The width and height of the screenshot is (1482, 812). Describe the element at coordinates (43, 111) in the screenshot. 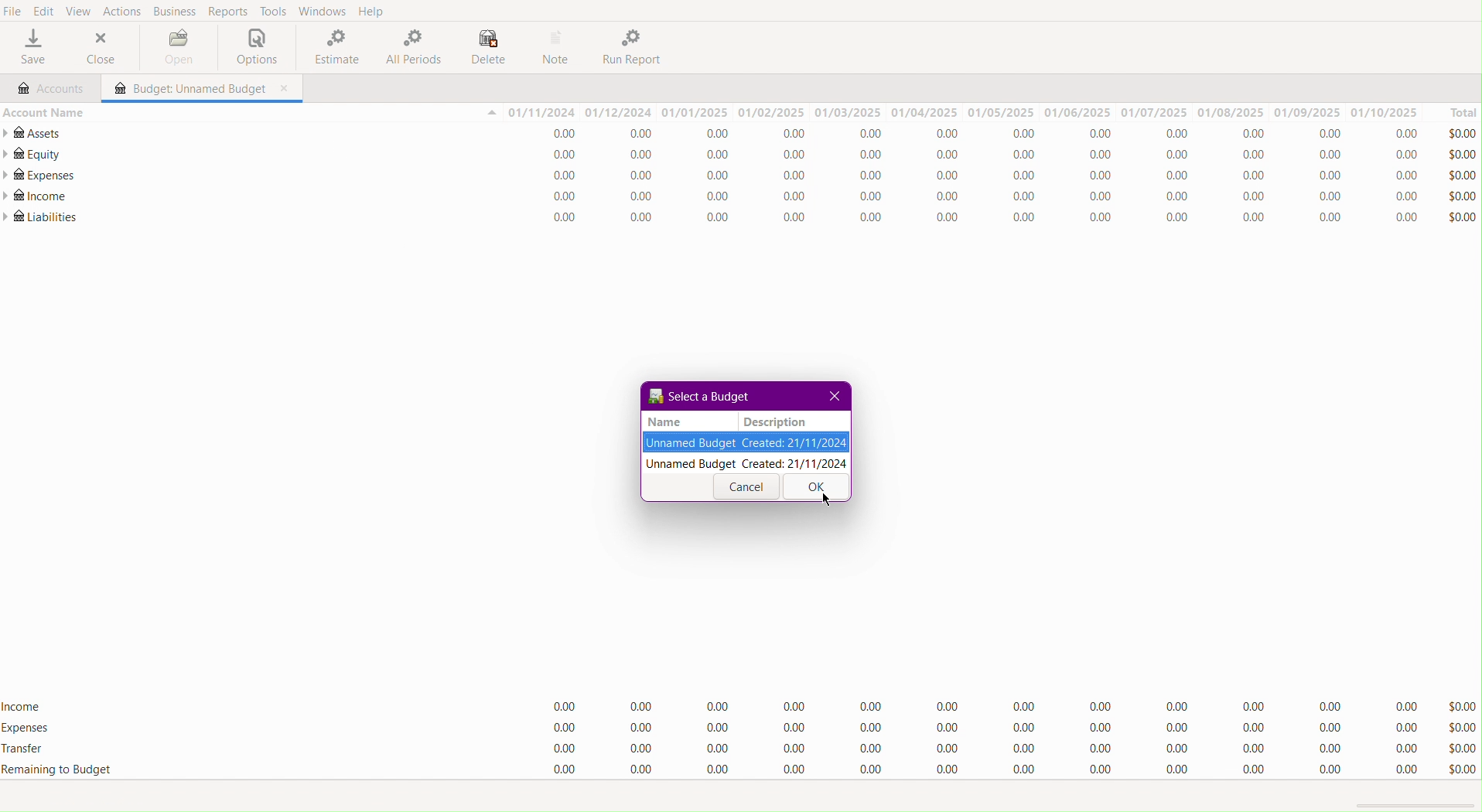

I see `Account Name` at that location.